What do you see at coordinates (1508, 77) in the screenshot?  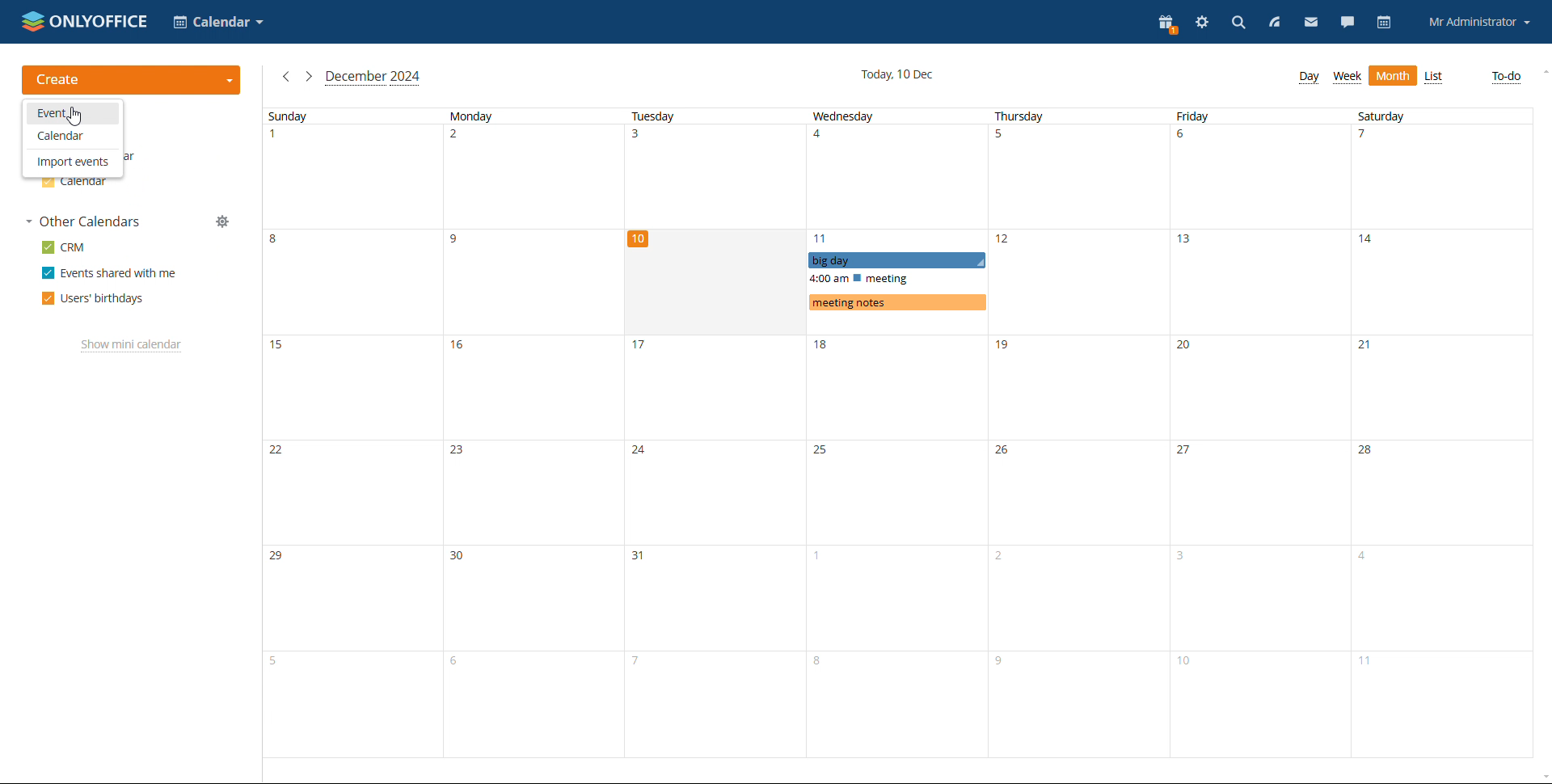 I see `to-do` at bounding box center [1508, 77].